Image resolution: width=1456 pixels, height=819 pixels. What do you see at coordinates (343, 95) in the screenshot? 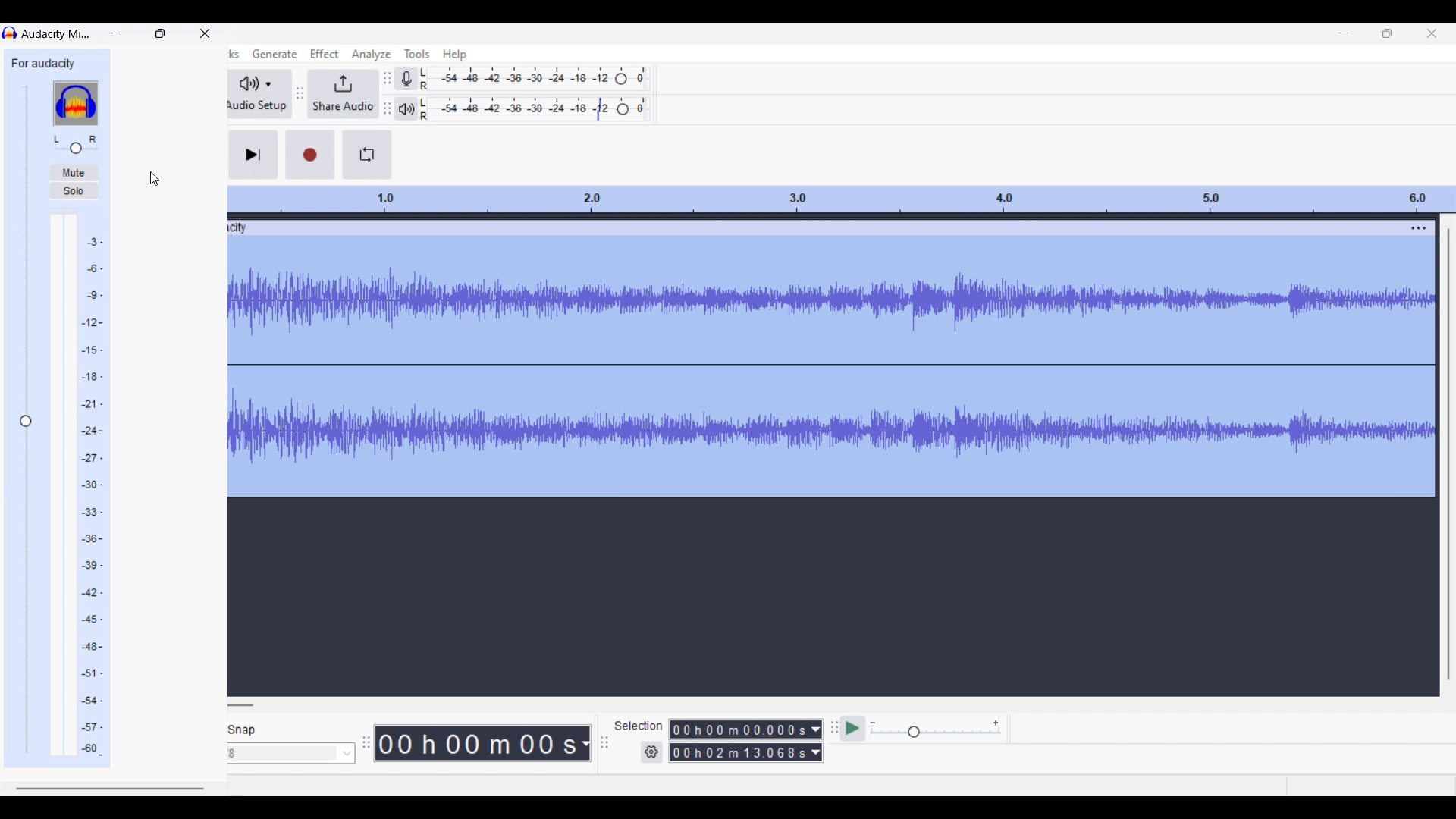
I see `Share audio` at bounding box center [343, 95].